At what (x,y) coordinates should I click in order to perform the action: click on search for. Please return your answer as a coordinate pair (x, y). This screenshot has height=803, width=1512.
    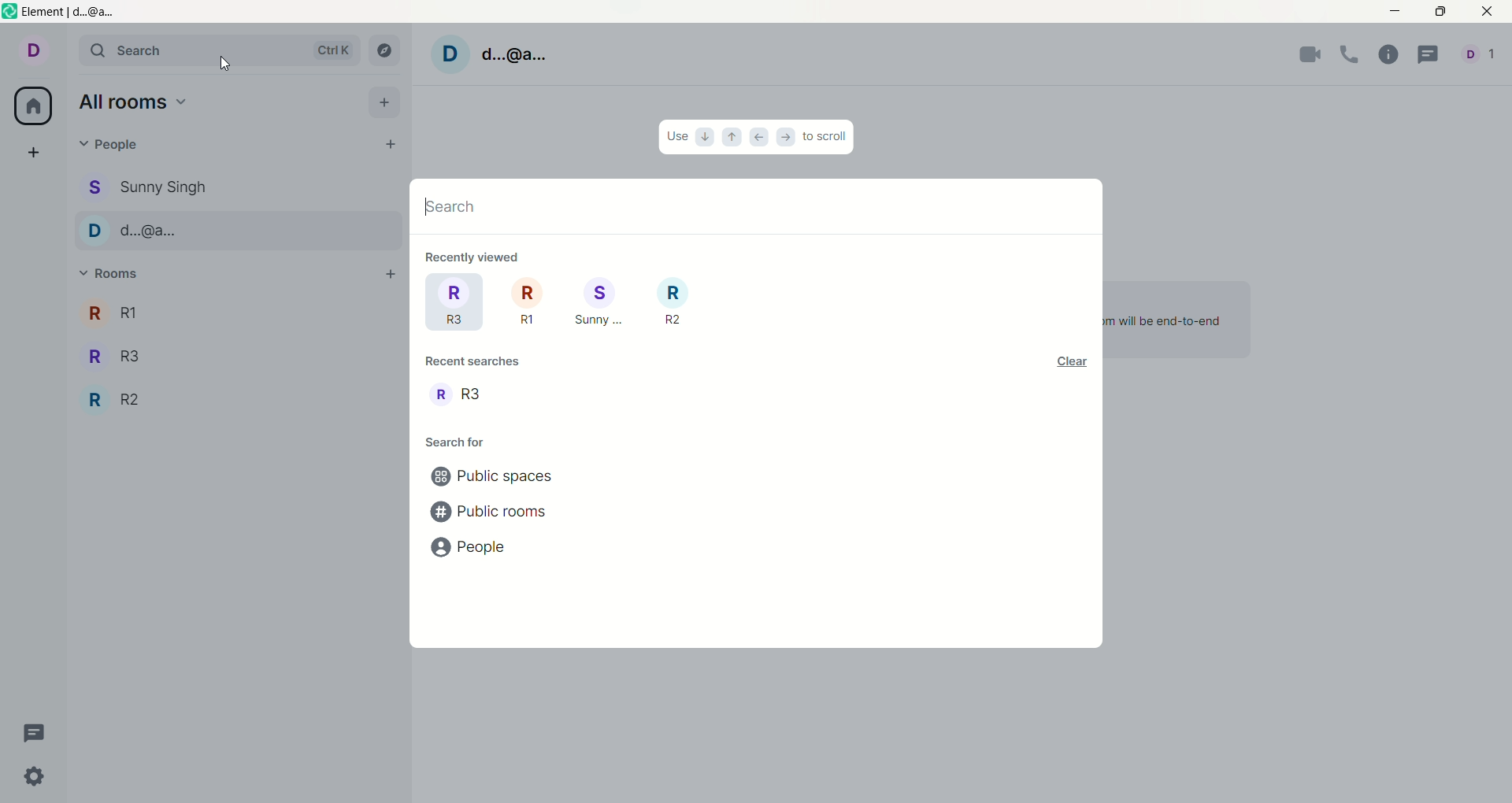
    Looking at the image, I should click on (455, 444).